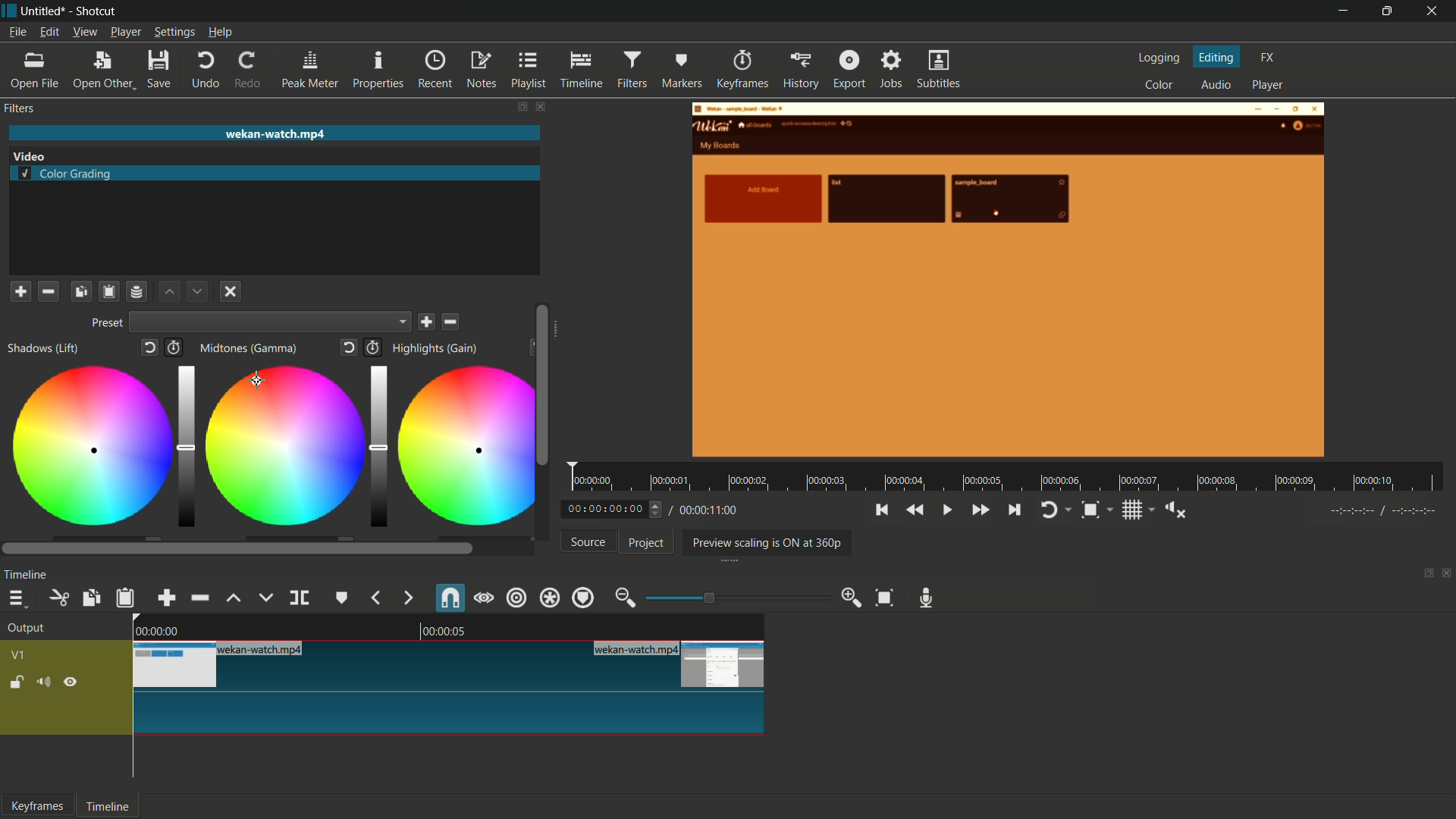  I want to click on properties, so click(378, 69).